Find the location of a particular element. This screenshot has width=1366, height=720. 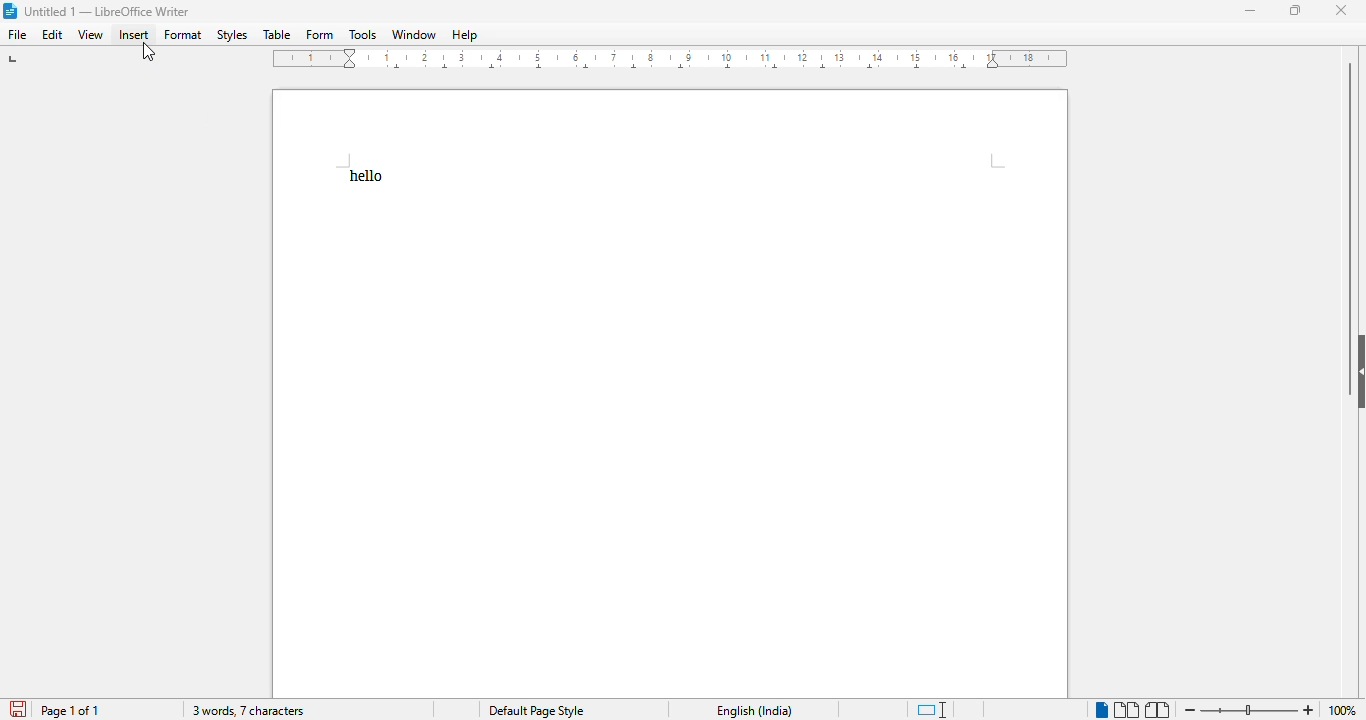

file is located at coordinates (16, 34).